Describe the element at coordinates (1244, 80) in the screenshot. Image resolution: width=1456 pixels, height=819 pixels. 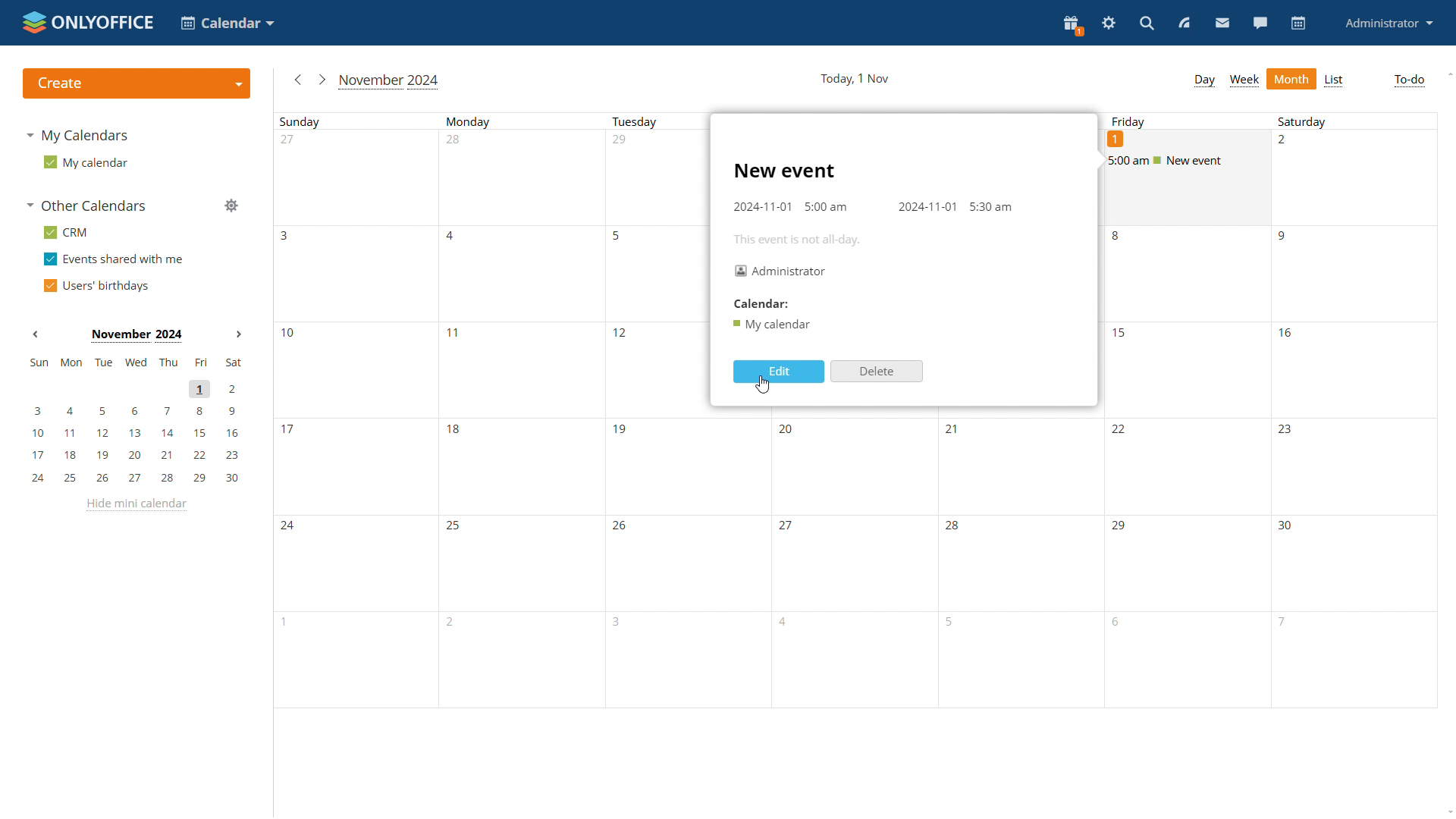
I see `week view` at that location.